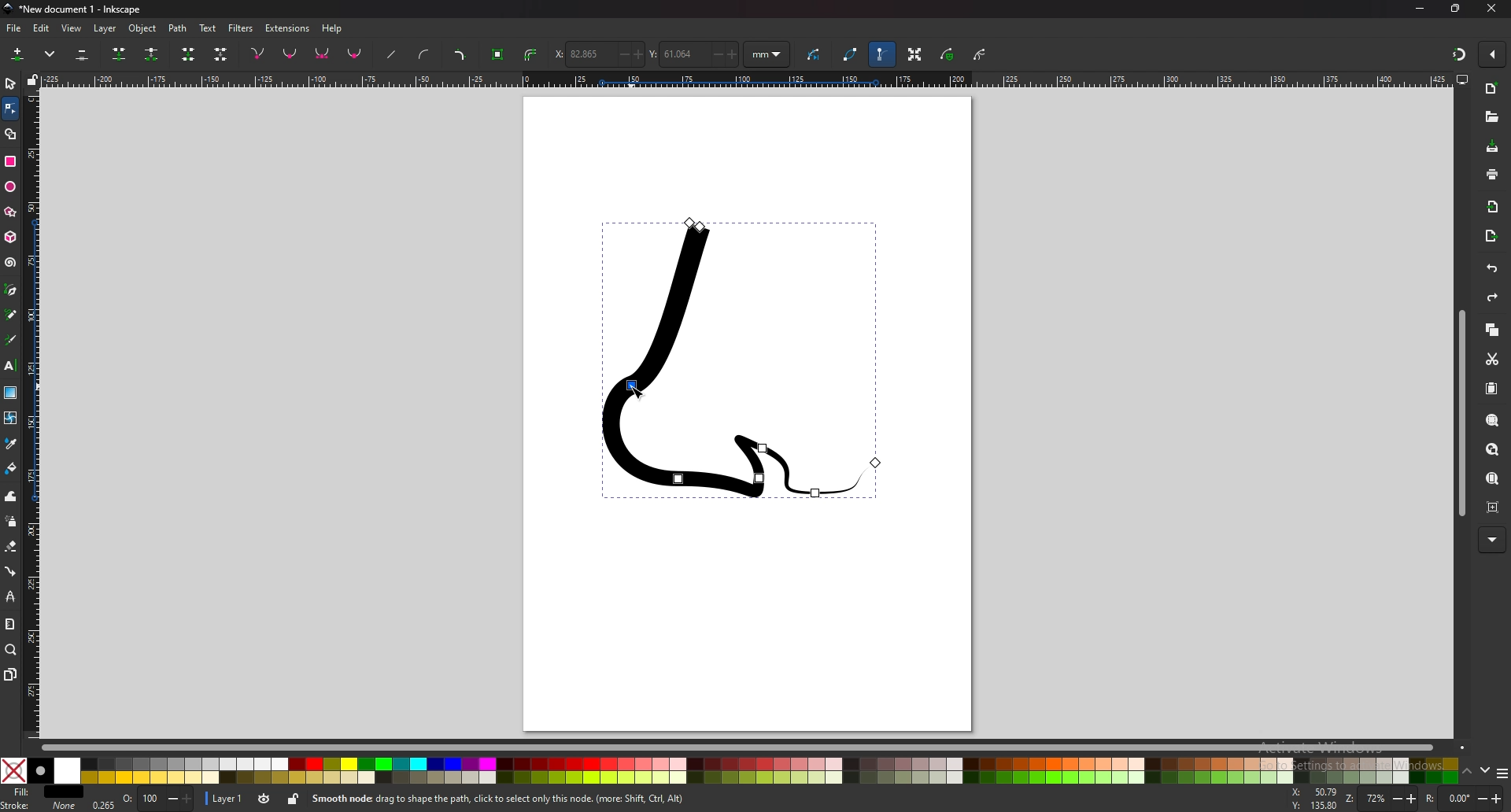  I want to click on x coordinates, so click(597, 54).